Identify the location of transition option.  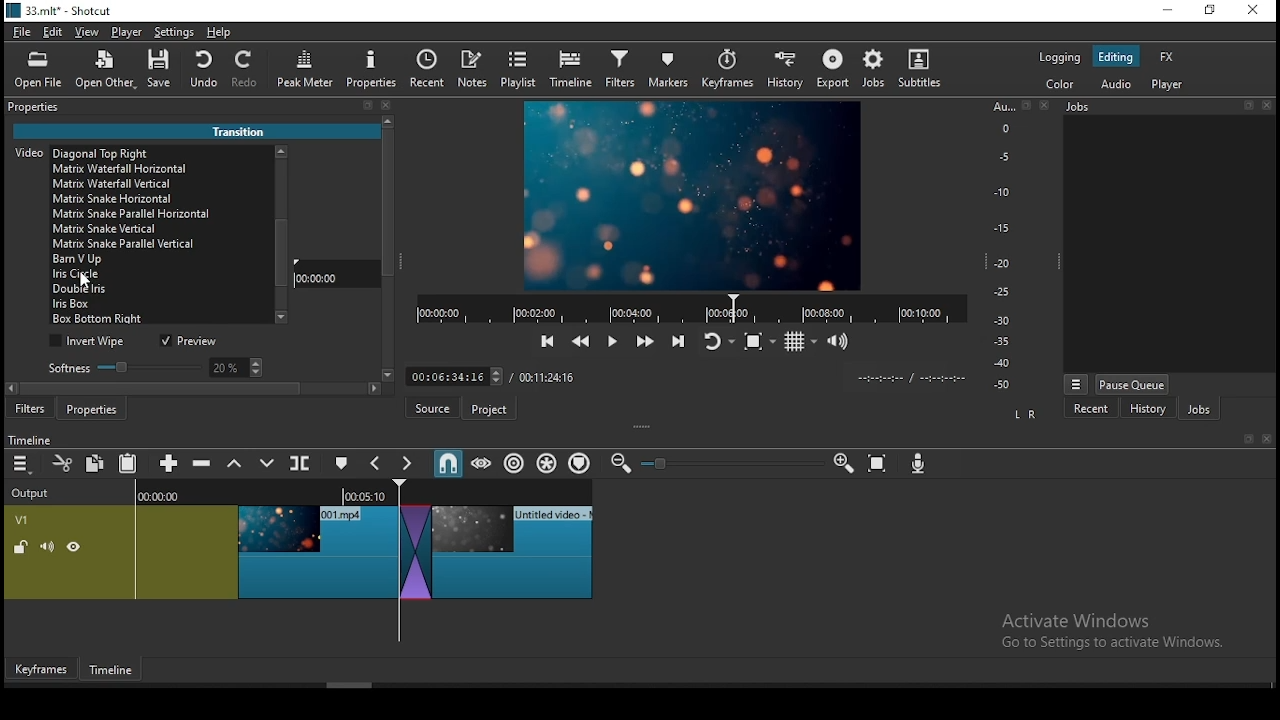
(161, 291).